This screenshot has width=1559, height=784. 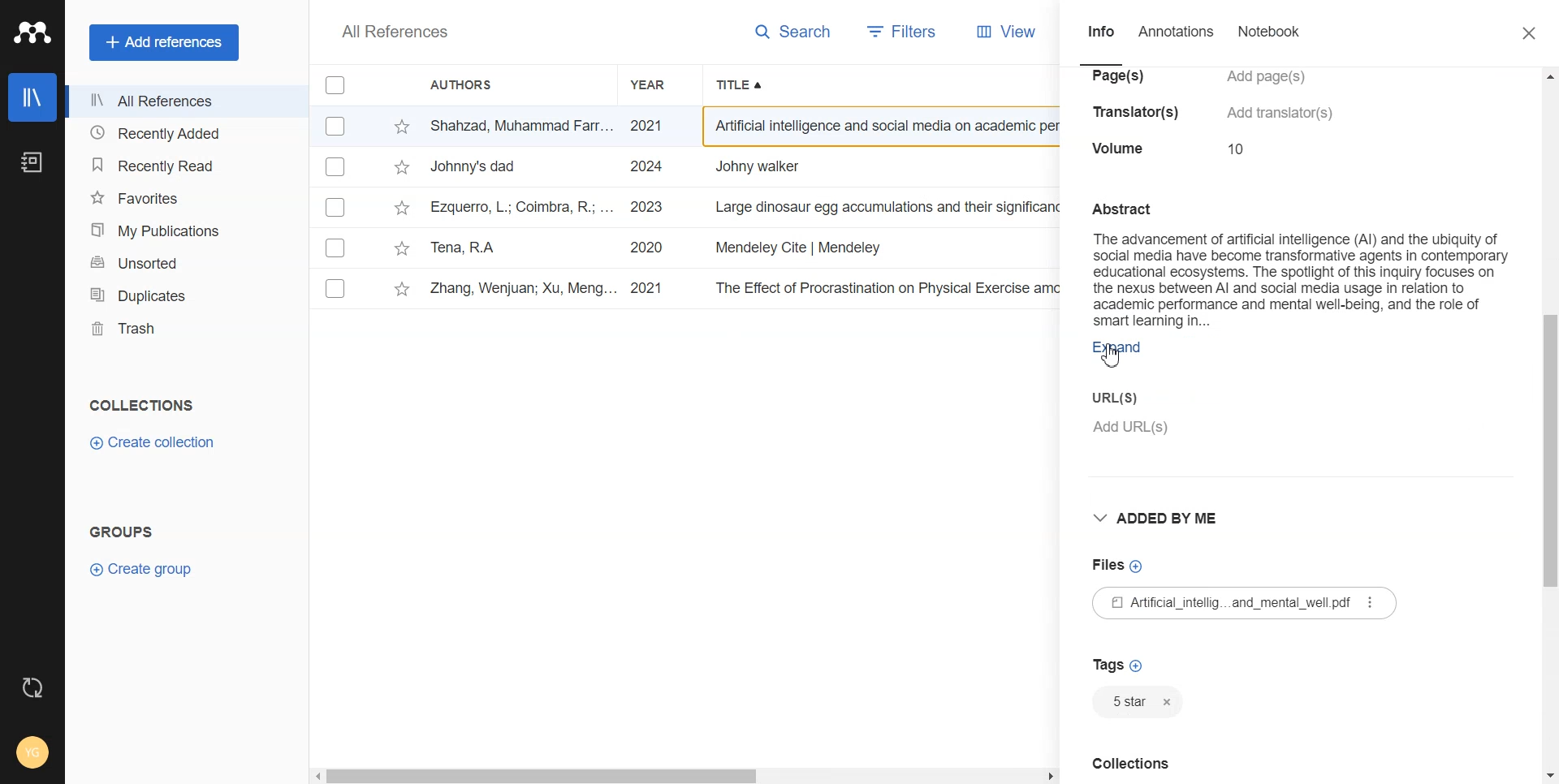 I want to click on Checkmarks, so click(x=338, y=127).